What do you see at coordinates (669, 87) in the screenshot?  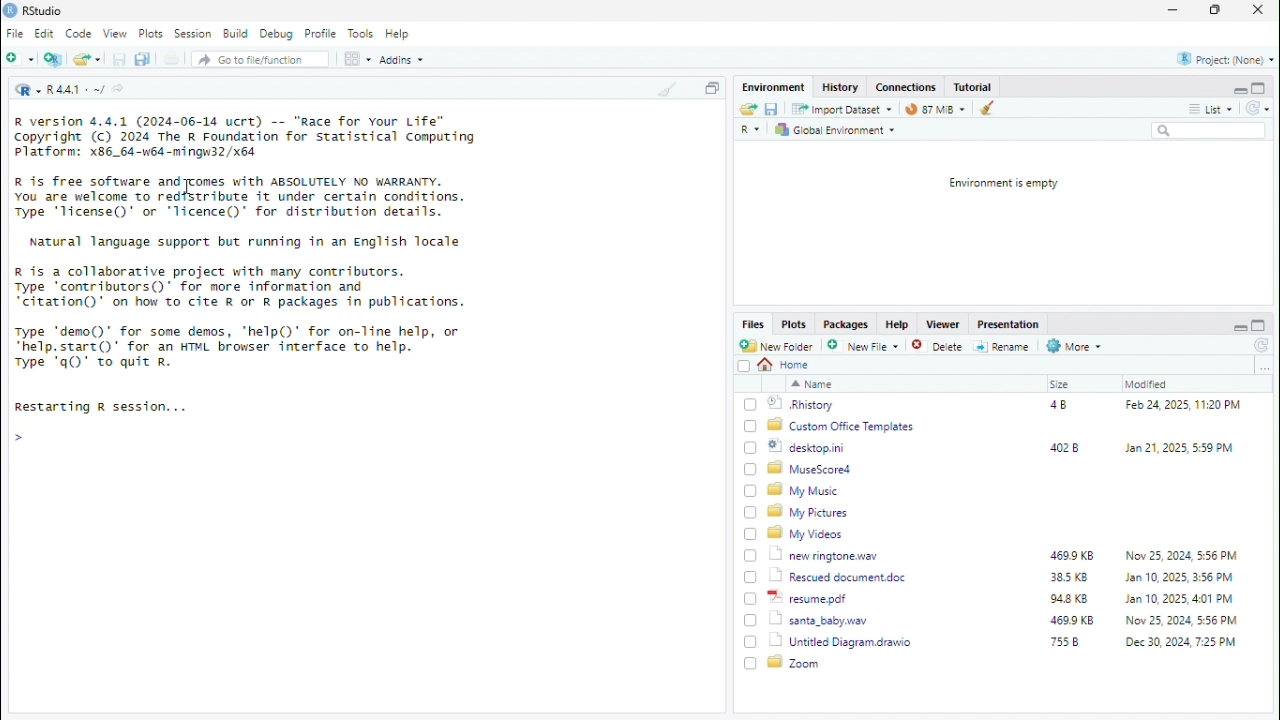 I see `clean` at bounding box center [669, 87].